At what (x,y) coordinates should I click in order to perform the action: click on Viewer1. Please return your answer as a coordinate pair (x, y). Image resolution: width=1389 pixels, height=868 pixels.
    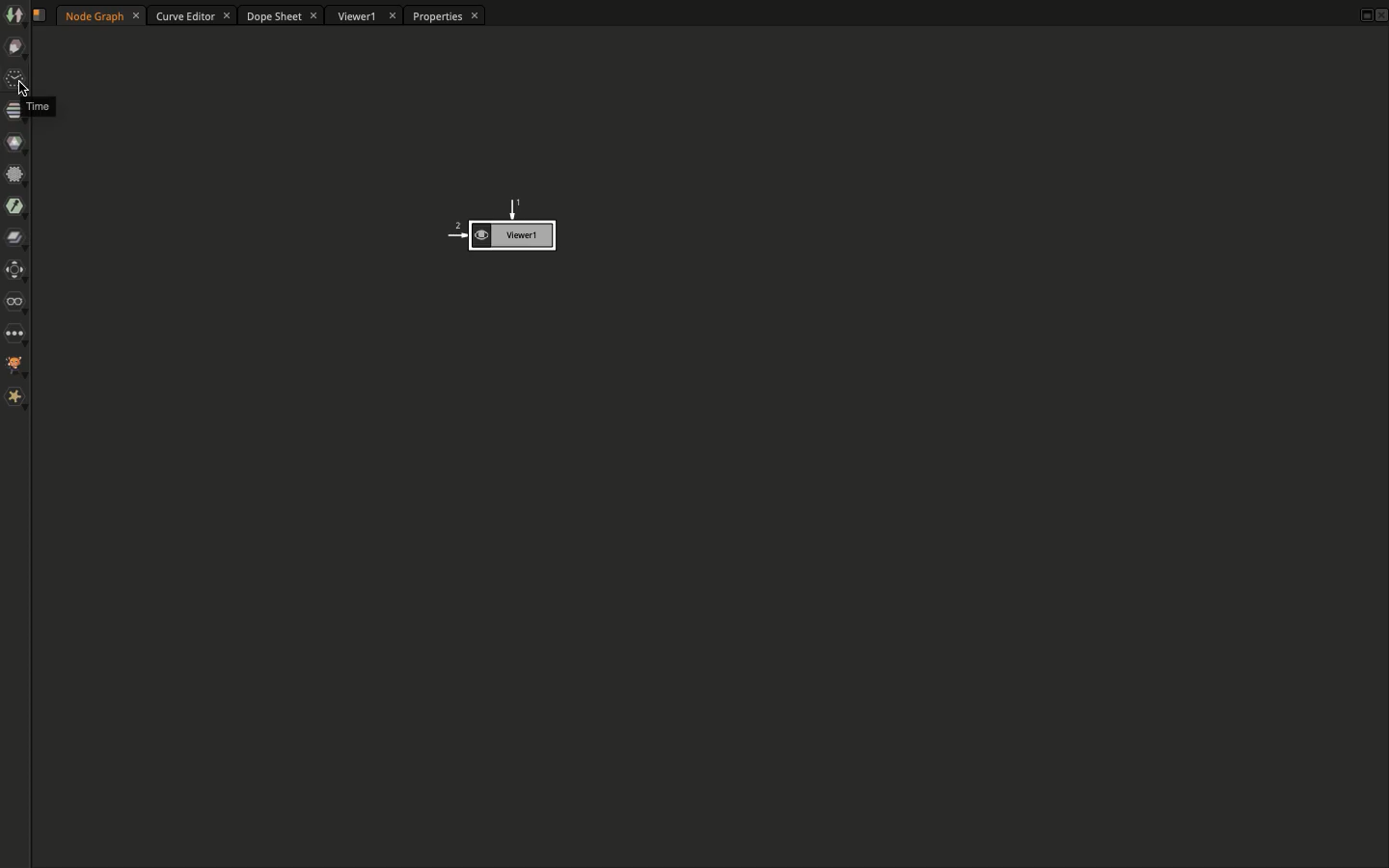
    Looking at the image, I should click on (365, 17).